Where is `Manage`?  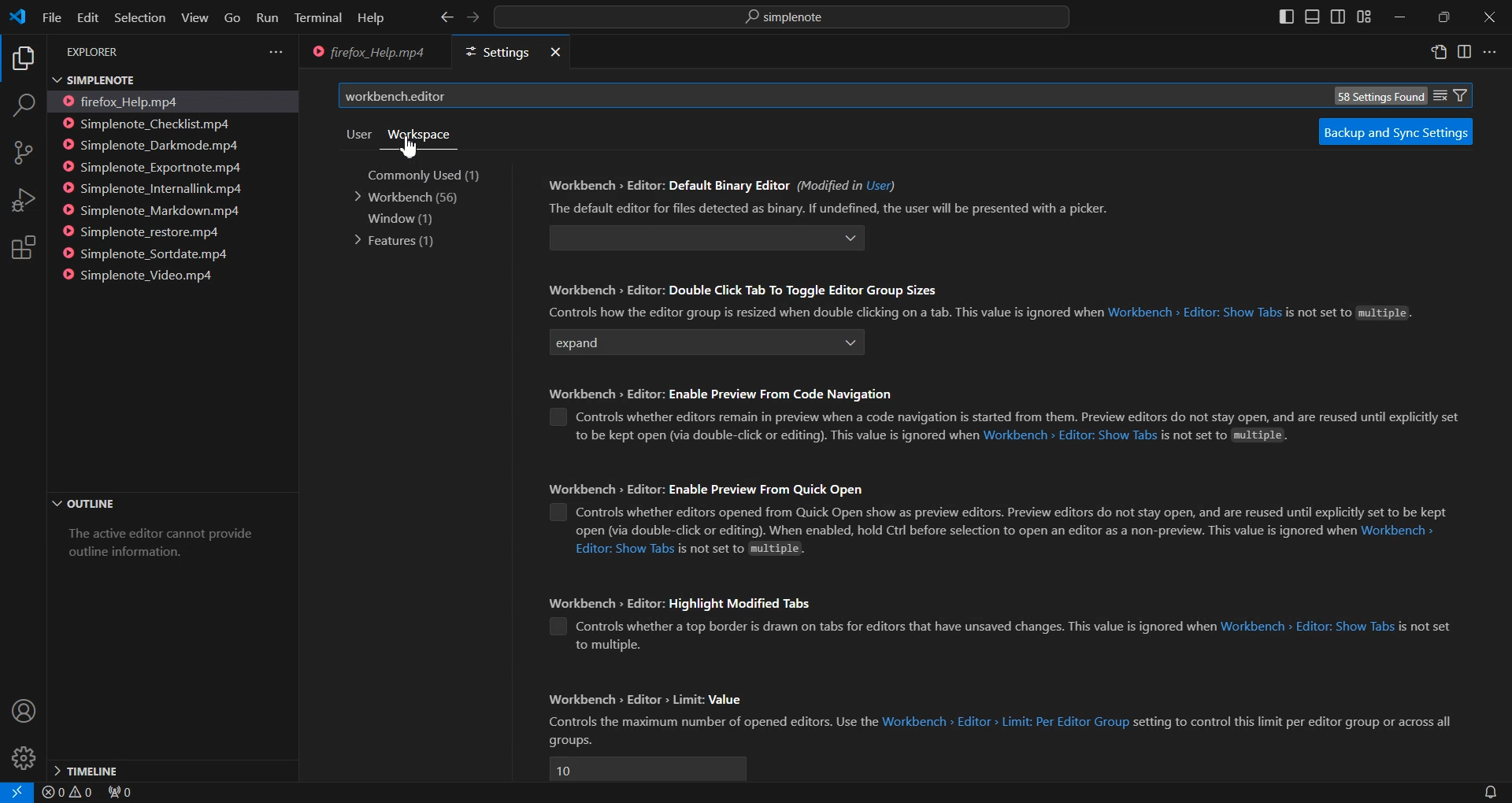 Manage is located at coordinates (24, 758).